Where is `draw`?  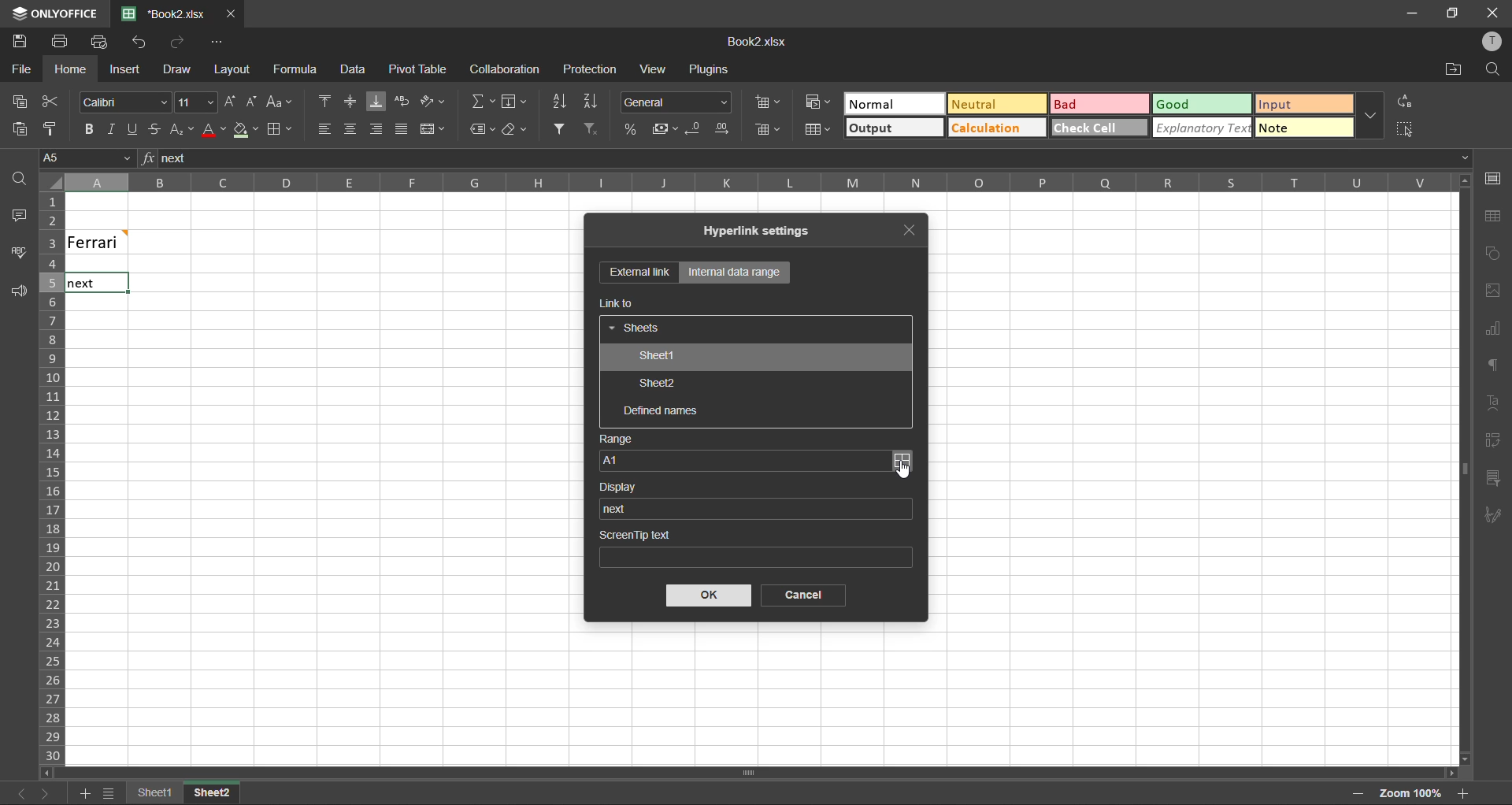
draw is located at coordinates (177, 72).